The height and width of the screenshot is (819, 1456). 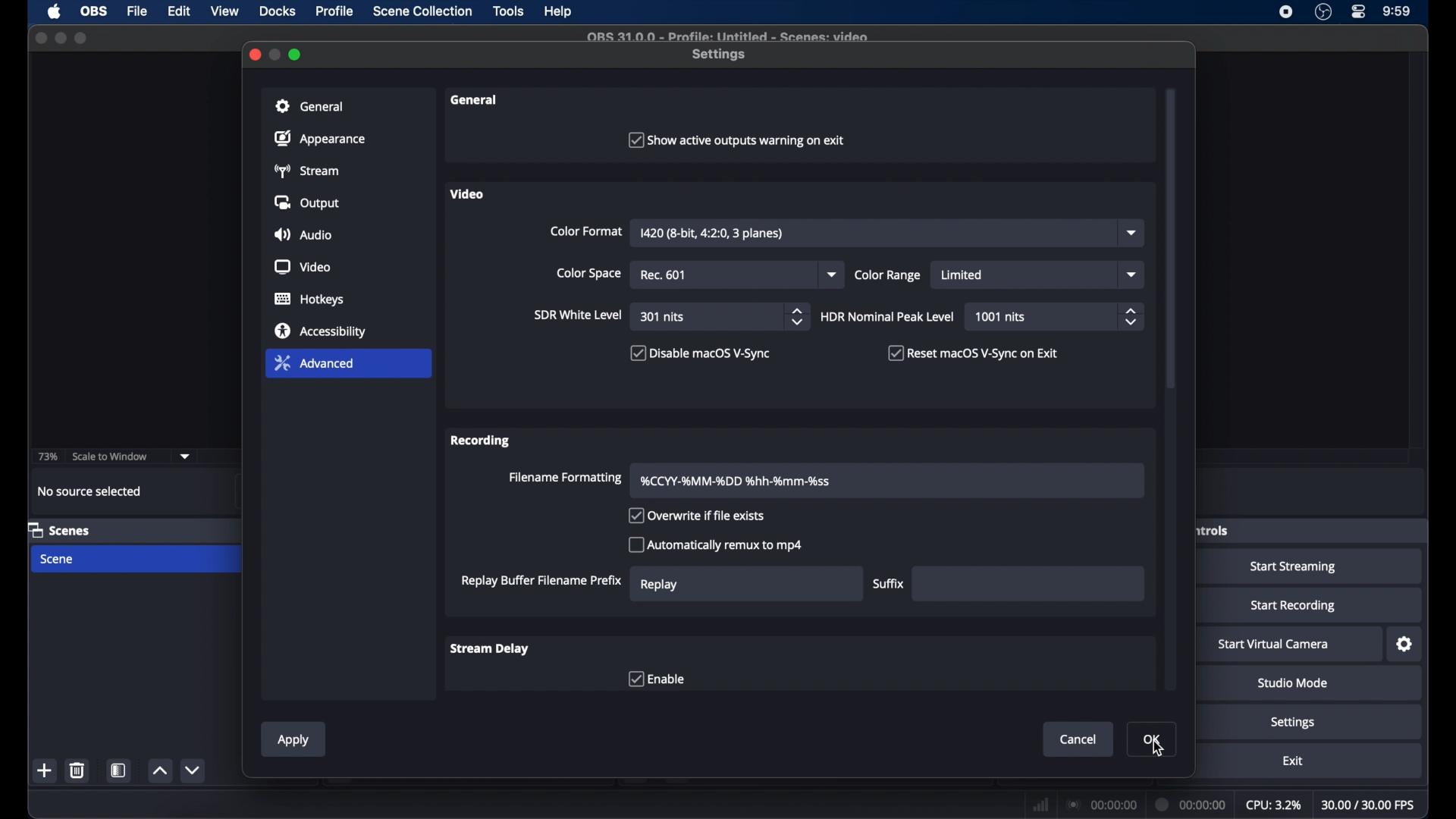 I want to click on color format, so click(x=586, y=231).